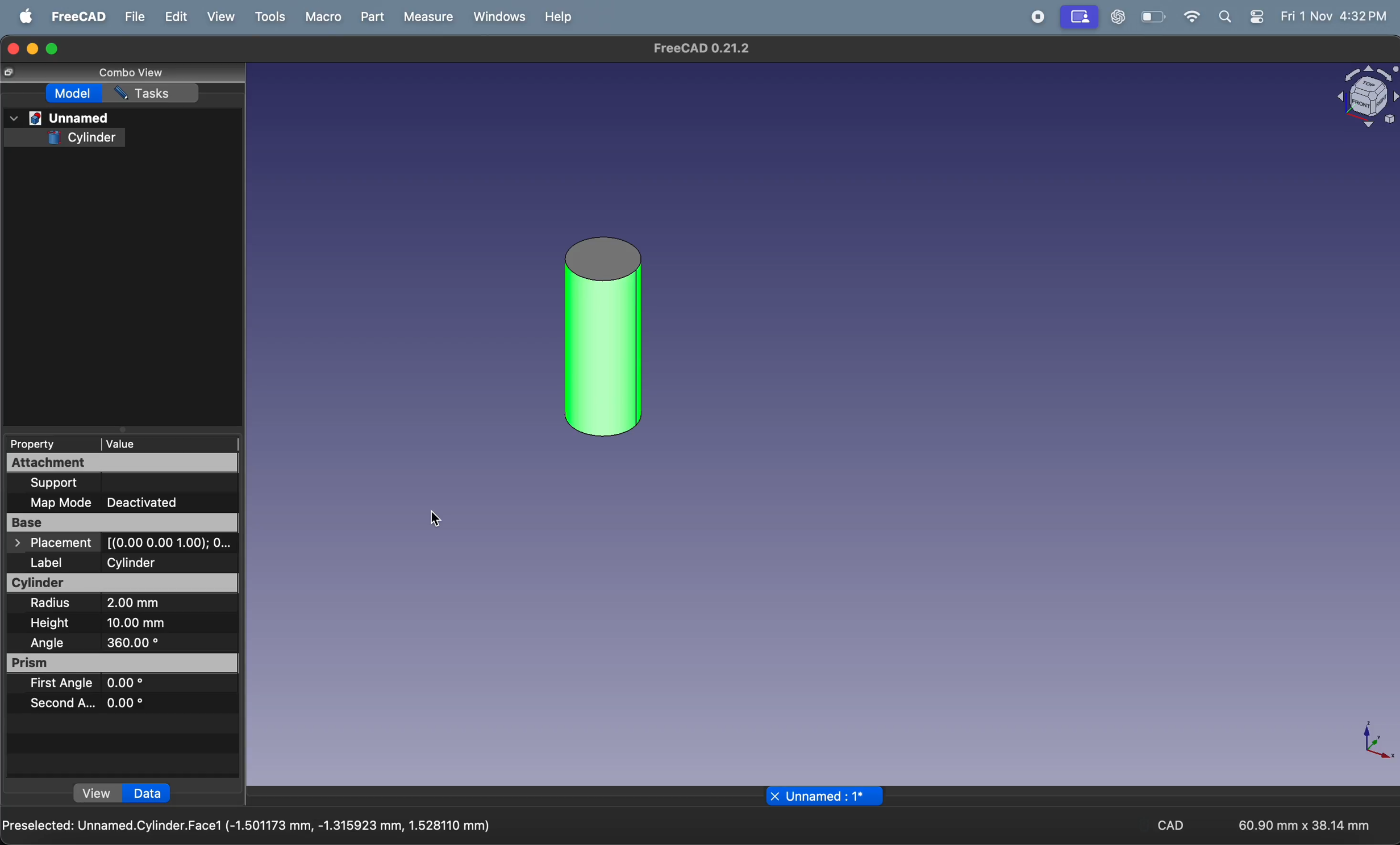 The height and width of the screenshot is (845, 1400). What do you see at coordinates (834, 796) in the screenshot?
I see `unnamed : 1*` at bounding box center [834, 796].